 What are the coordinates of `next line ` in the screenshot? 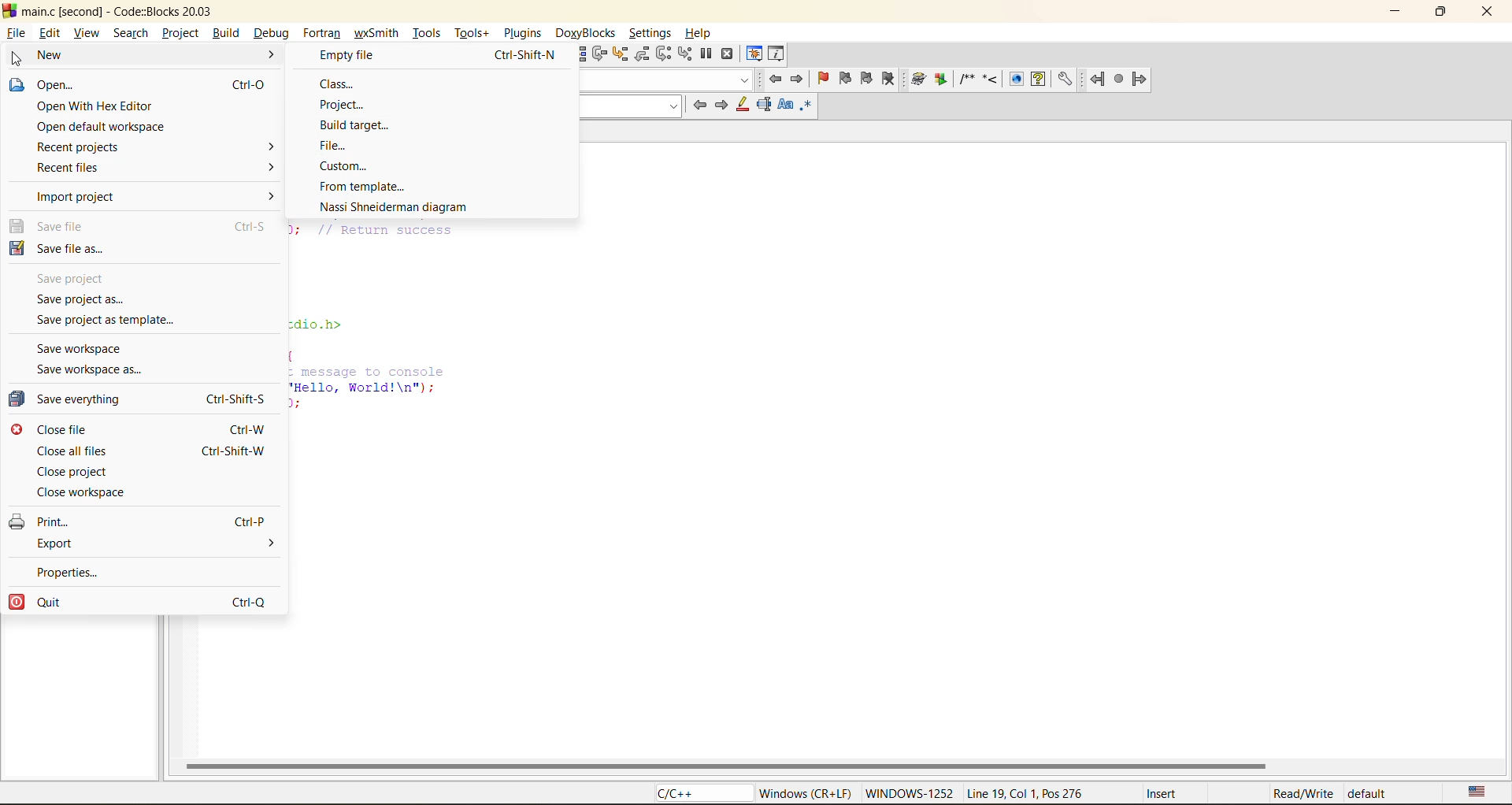 It's located at (601, 54).